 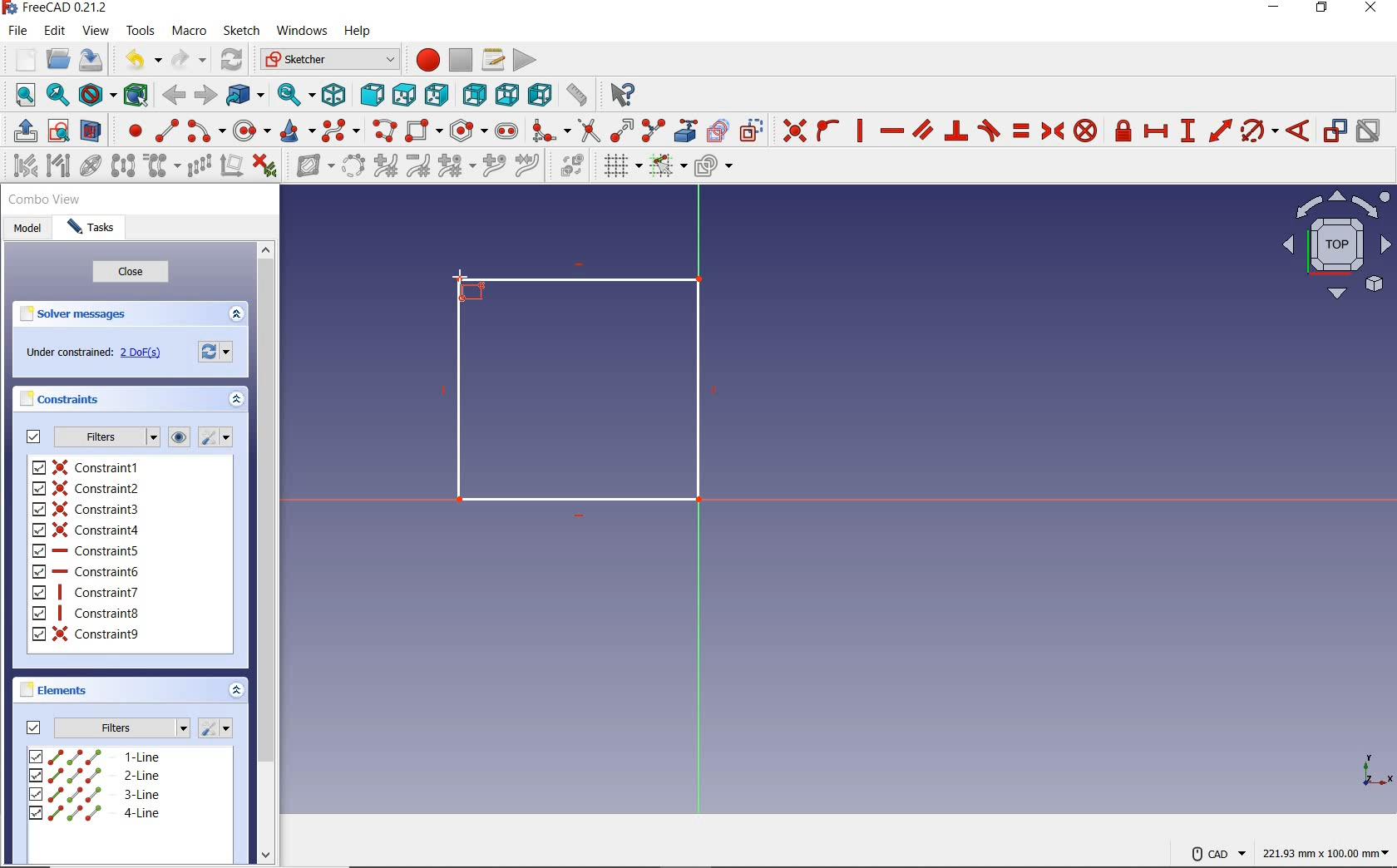 I want to click on filters, so click(x=107, y=727).